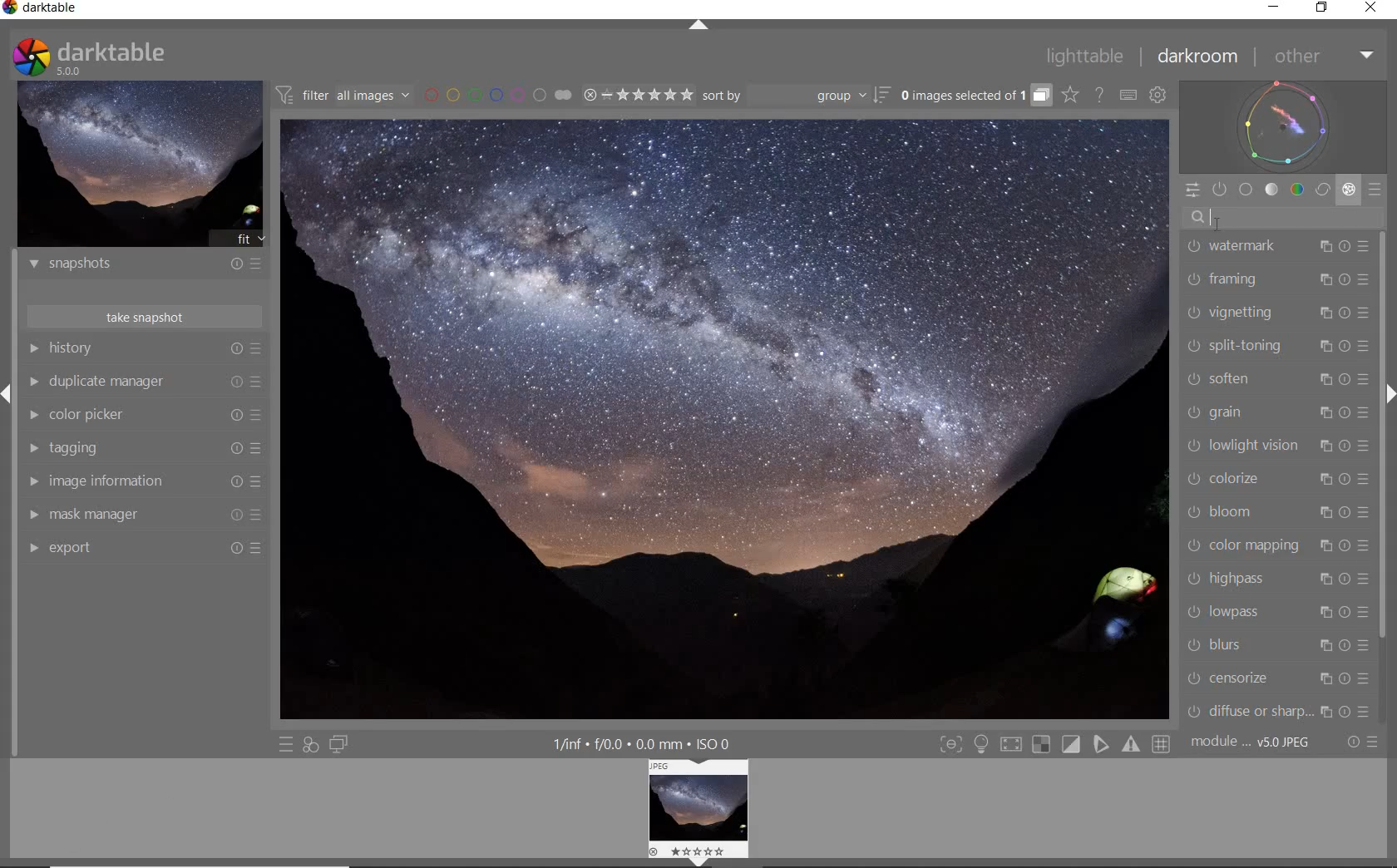  Describe the element at coordinates (1323, 611) in the screenshot. I see `multiple instance actions` at that location.